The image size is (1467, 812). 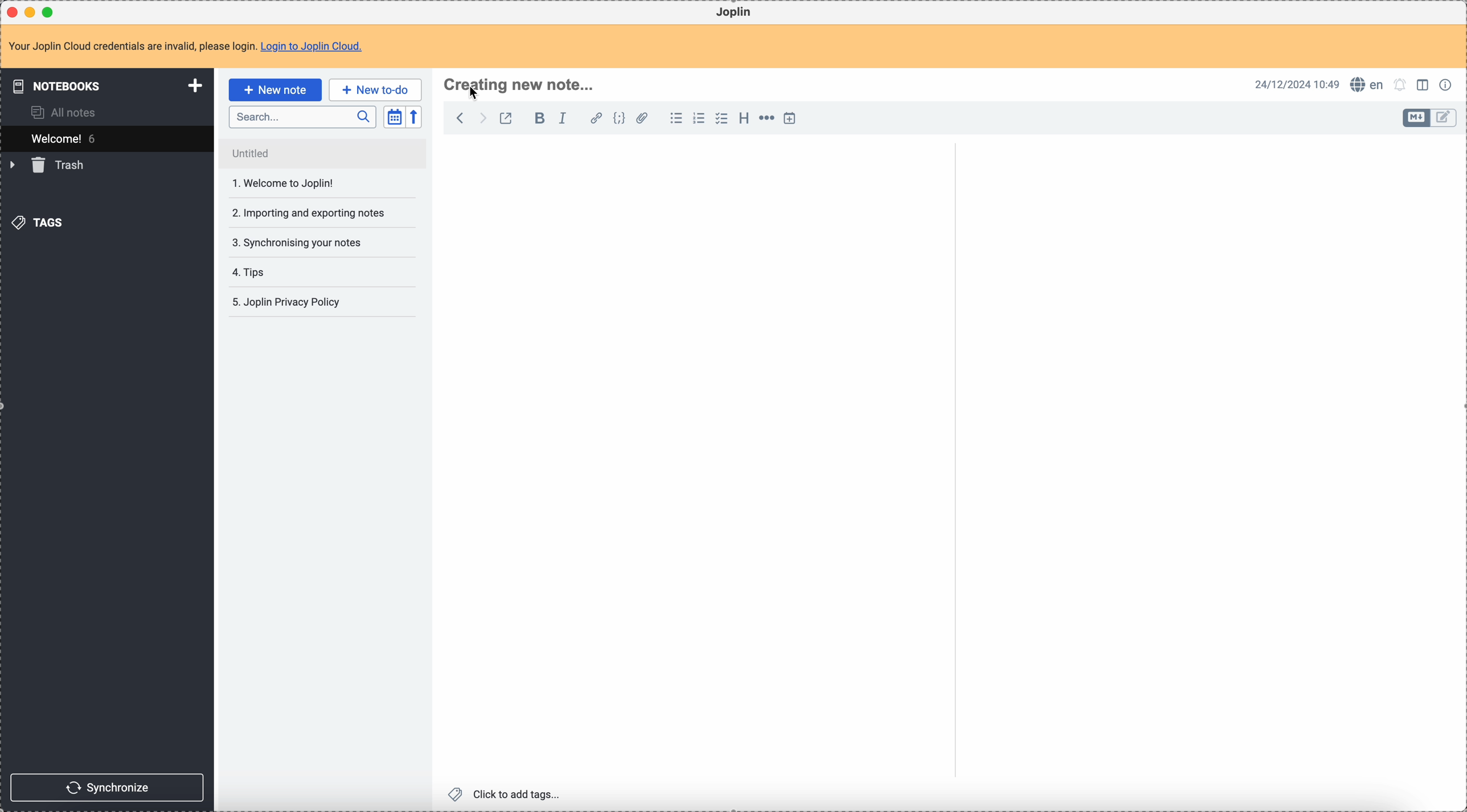 What do you see at coordinates (103, 87) in the screenshot?
I see `notebooks` at bounding box center [103, 87].